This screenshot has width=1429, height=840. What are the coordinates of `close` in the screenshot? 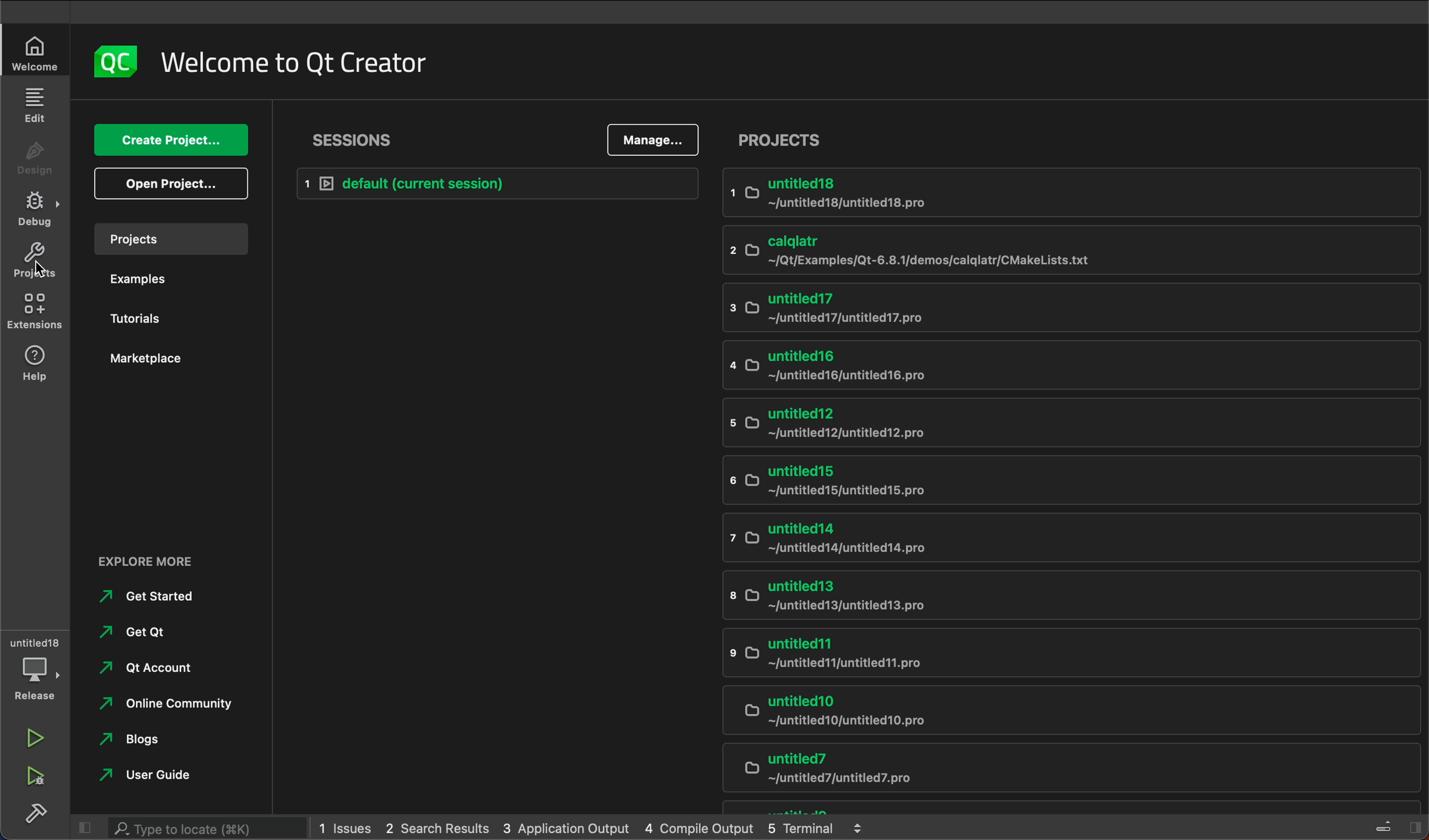 It's located at (84, 828).